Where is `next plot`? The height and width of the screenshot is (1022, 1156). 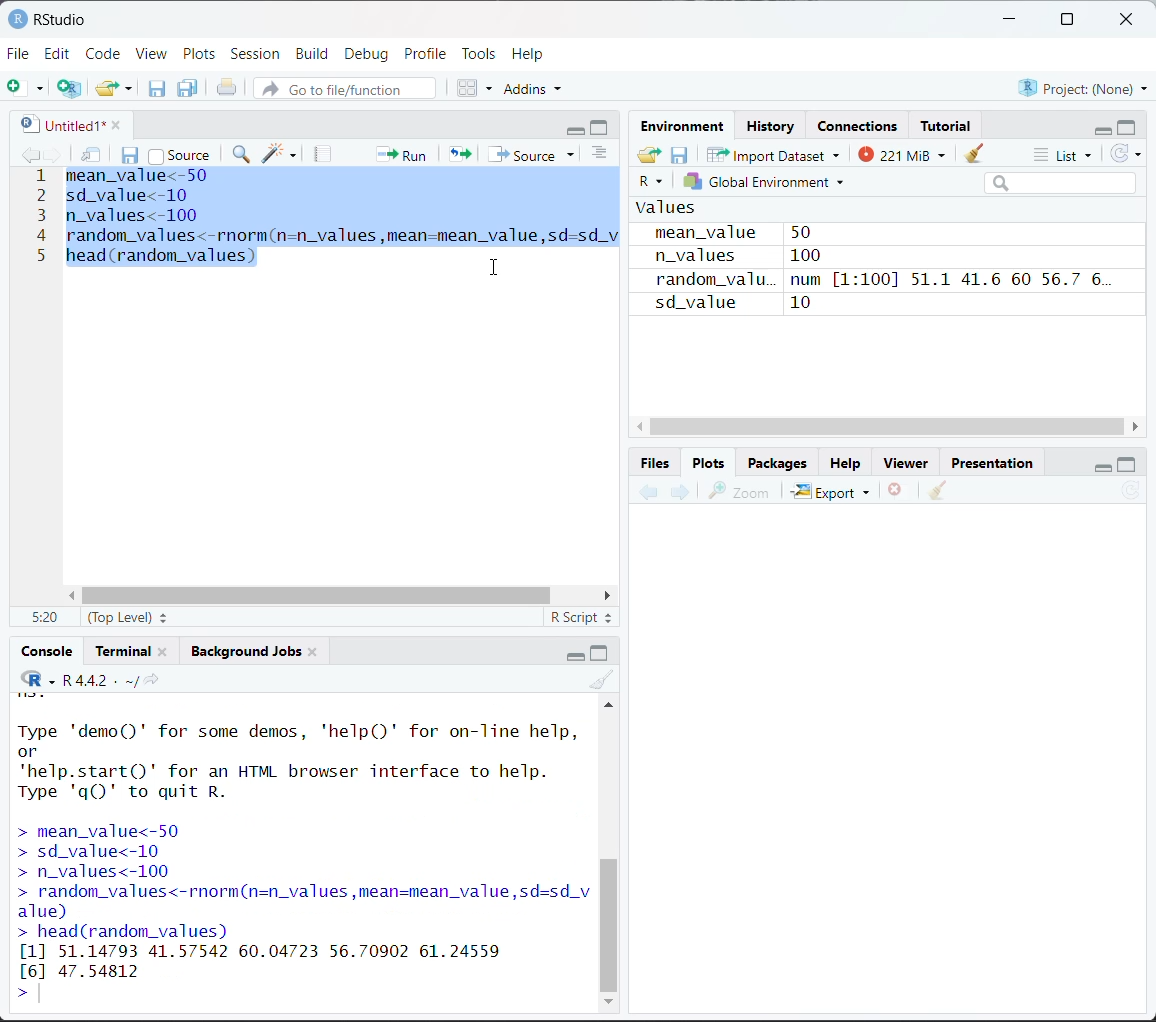 next plot is located at coordinates (678, 492).